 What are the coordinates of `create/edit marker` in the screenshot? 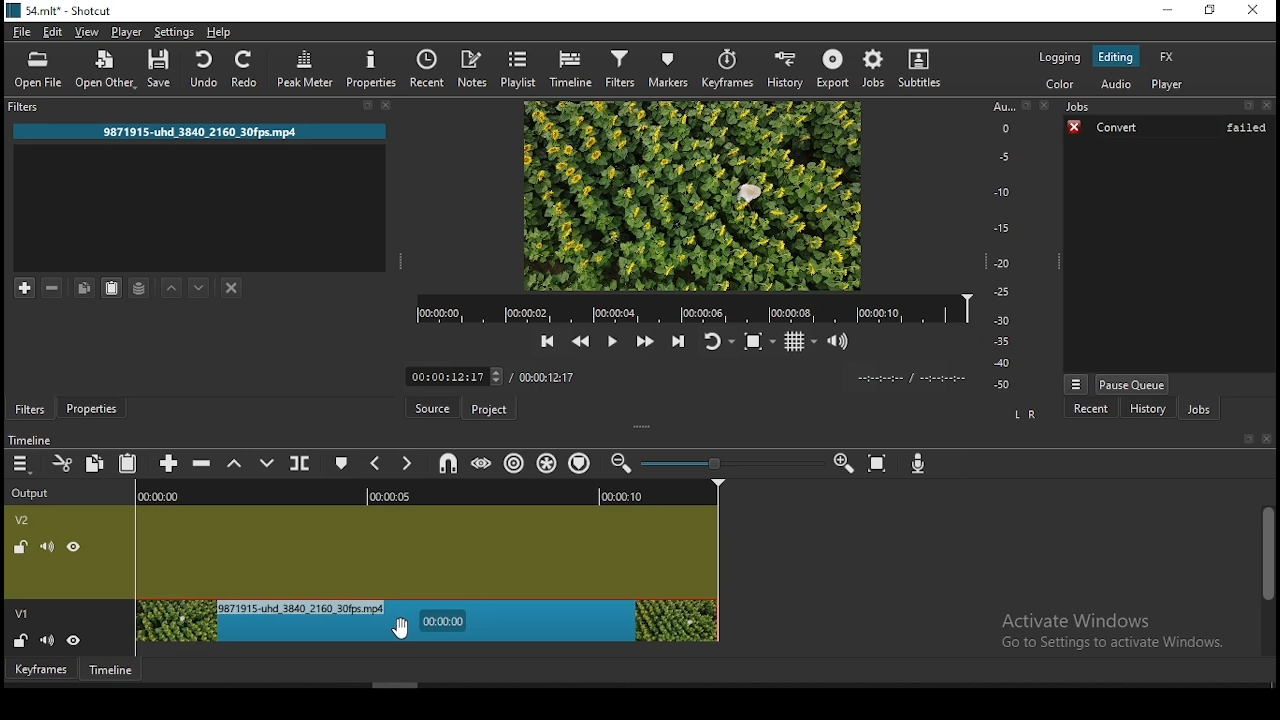 It's located at (339, 464).